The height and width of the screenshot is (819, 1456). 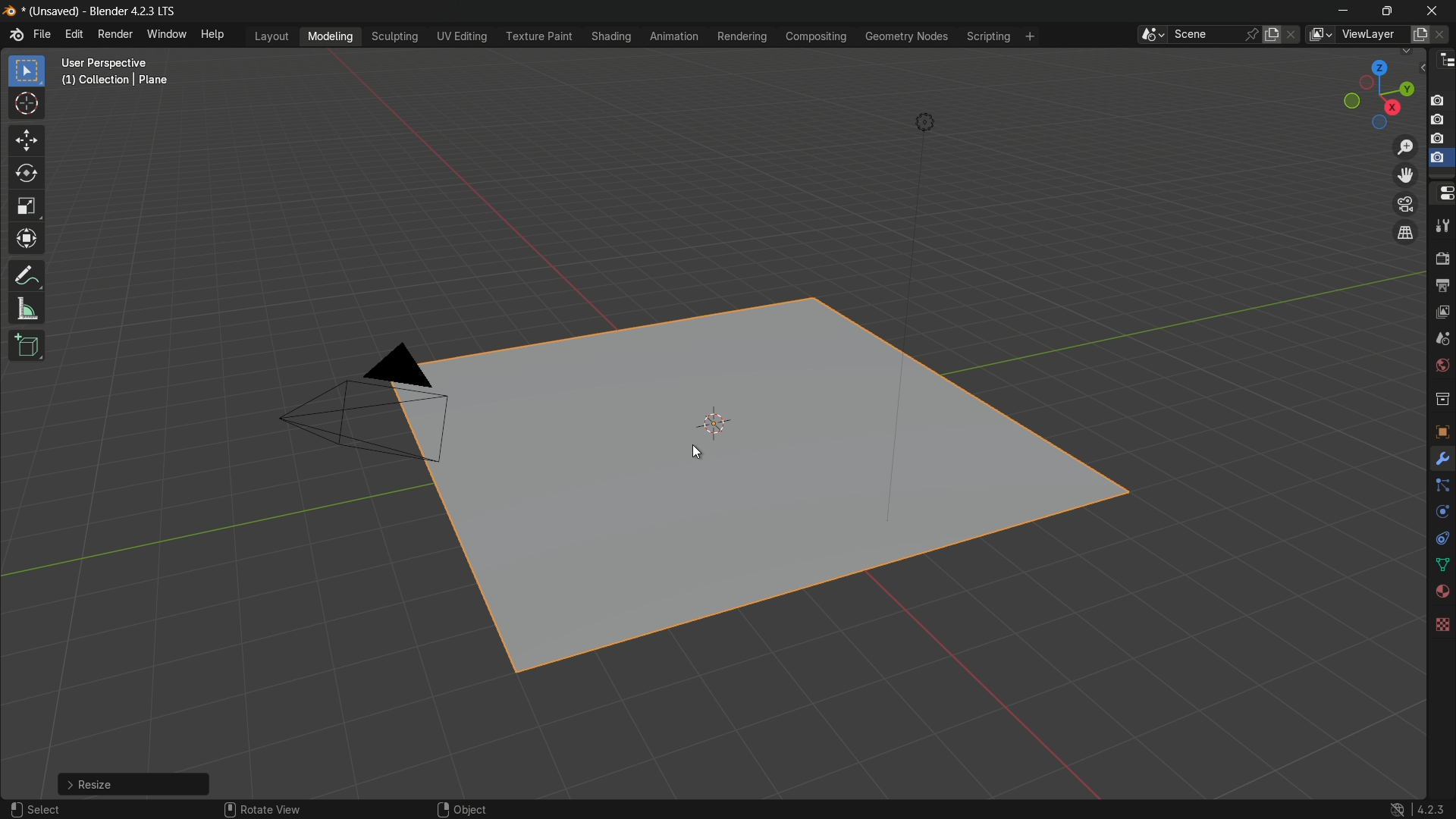 What do you see at coordinates (27, 71) in the screenshot?
I see `select box` at bounding box center [27, 71].